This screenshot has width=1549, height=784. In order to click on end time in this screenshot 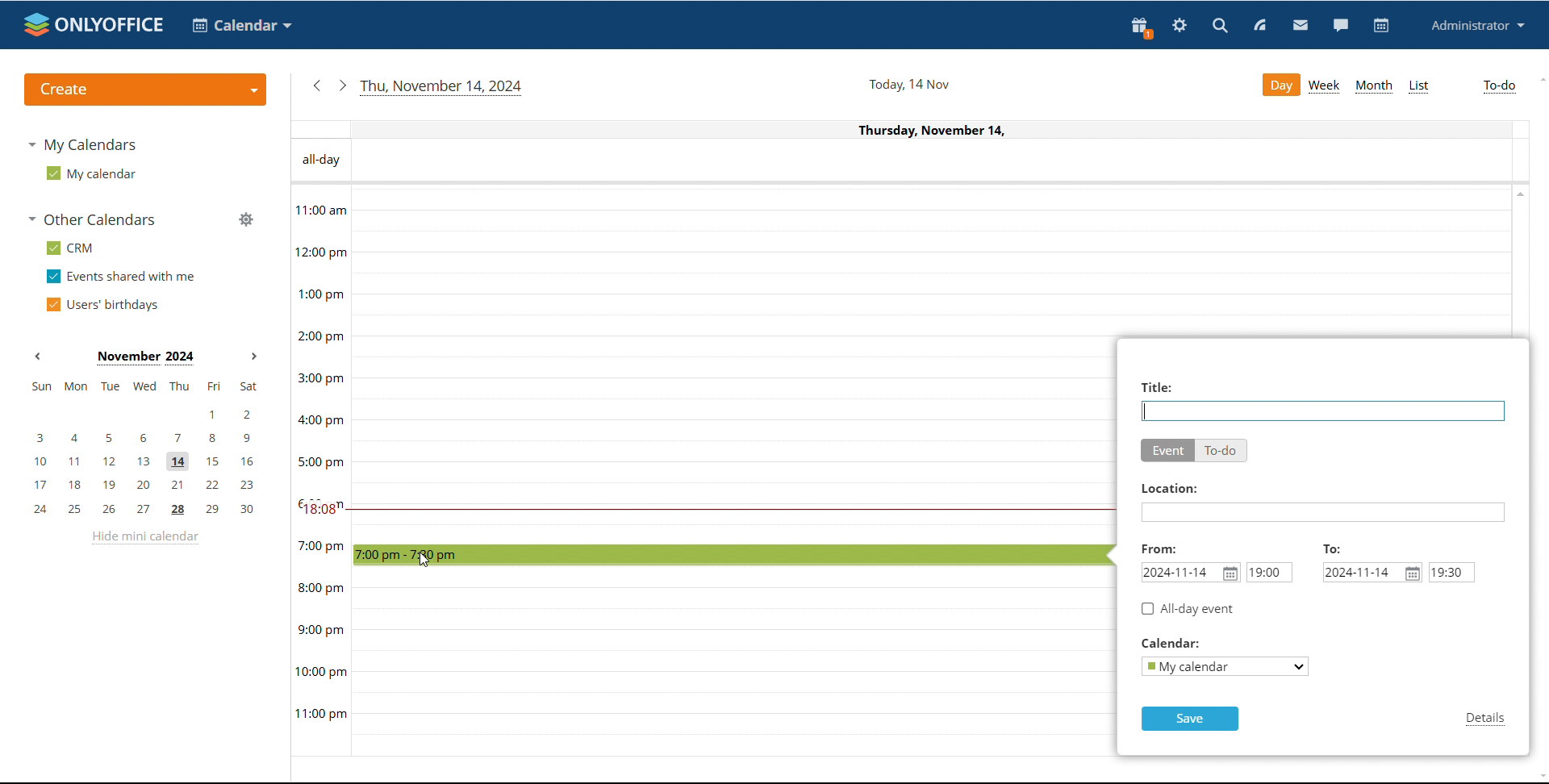, I will do `click(1451, 573)`.